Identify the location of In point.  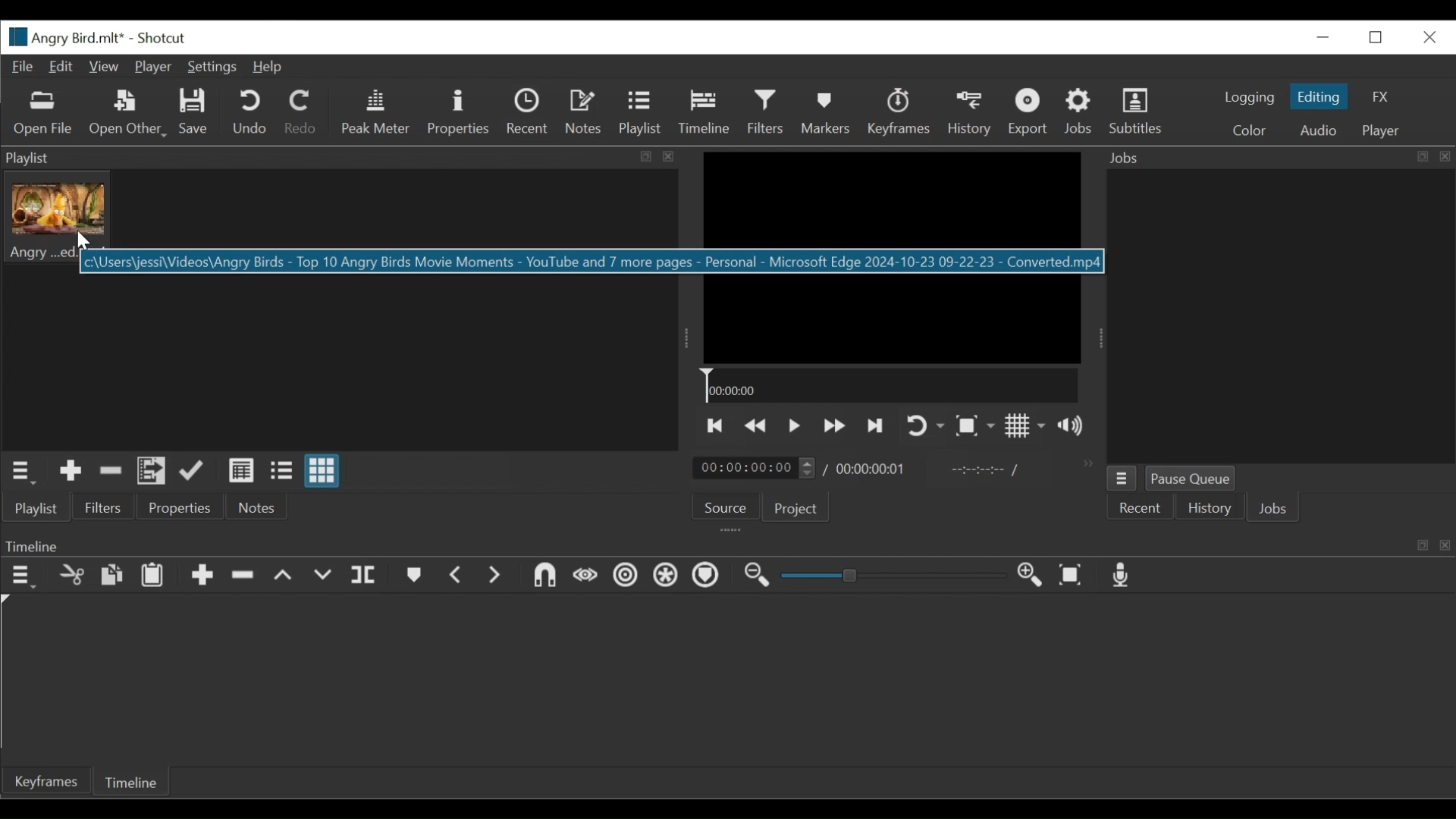
(977, 471).